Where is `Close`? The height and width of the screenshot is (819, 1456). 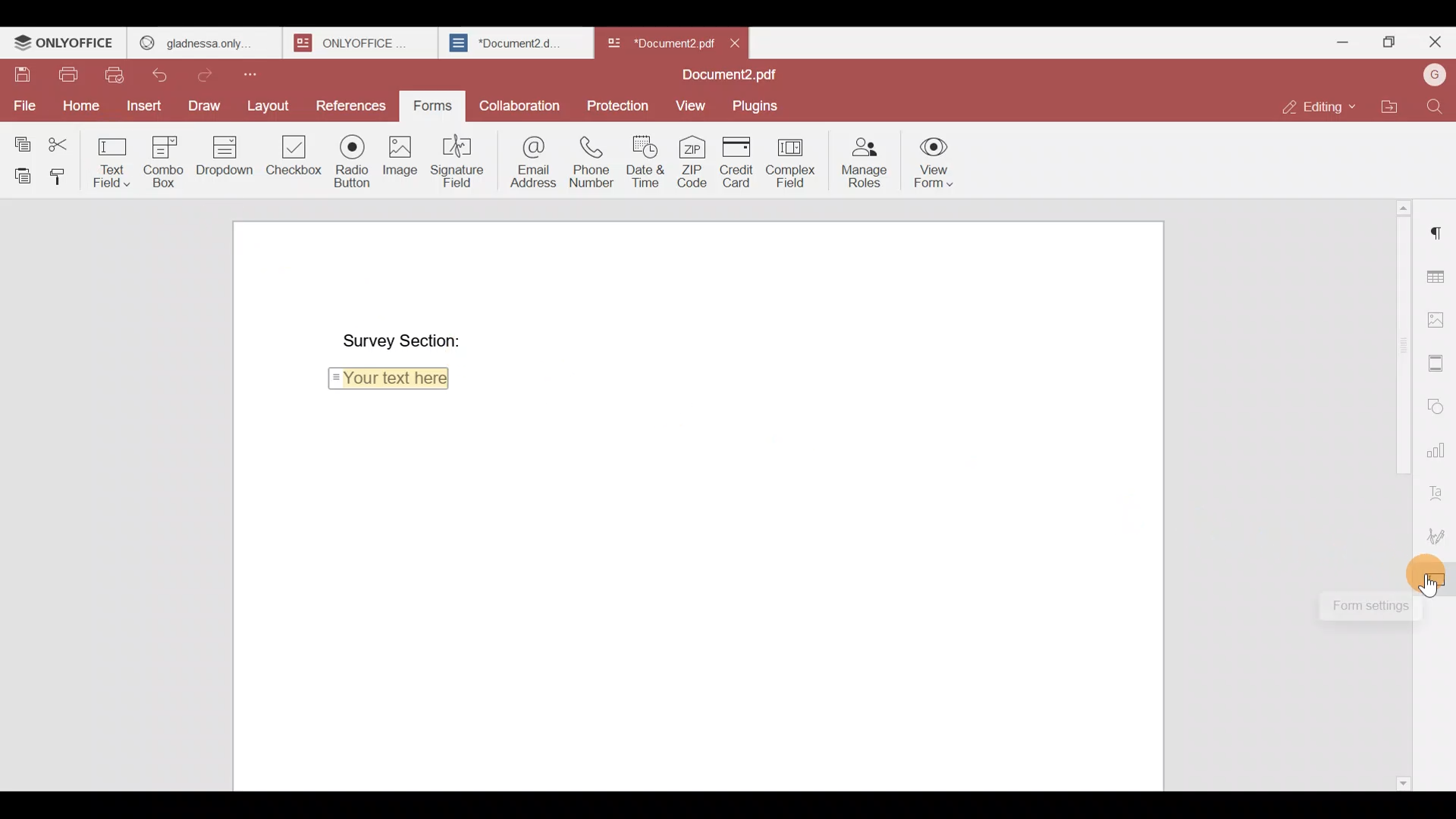 Close is located at coordinates (736, 42).